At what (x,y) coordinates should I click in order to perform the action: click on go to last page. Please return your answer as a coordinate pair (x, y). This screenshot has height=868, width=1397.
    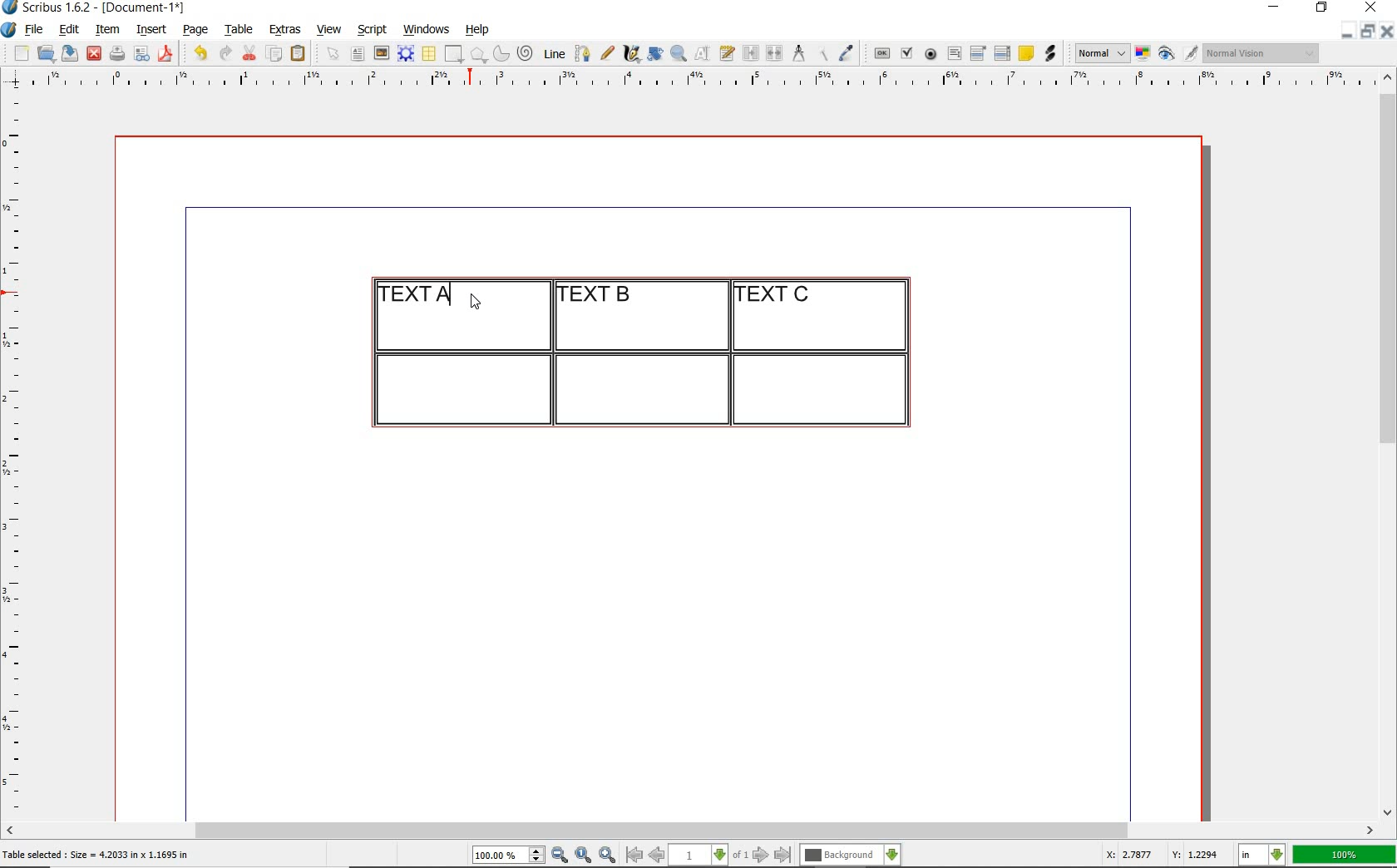
    Looking at the image, I should click on (783, 856).